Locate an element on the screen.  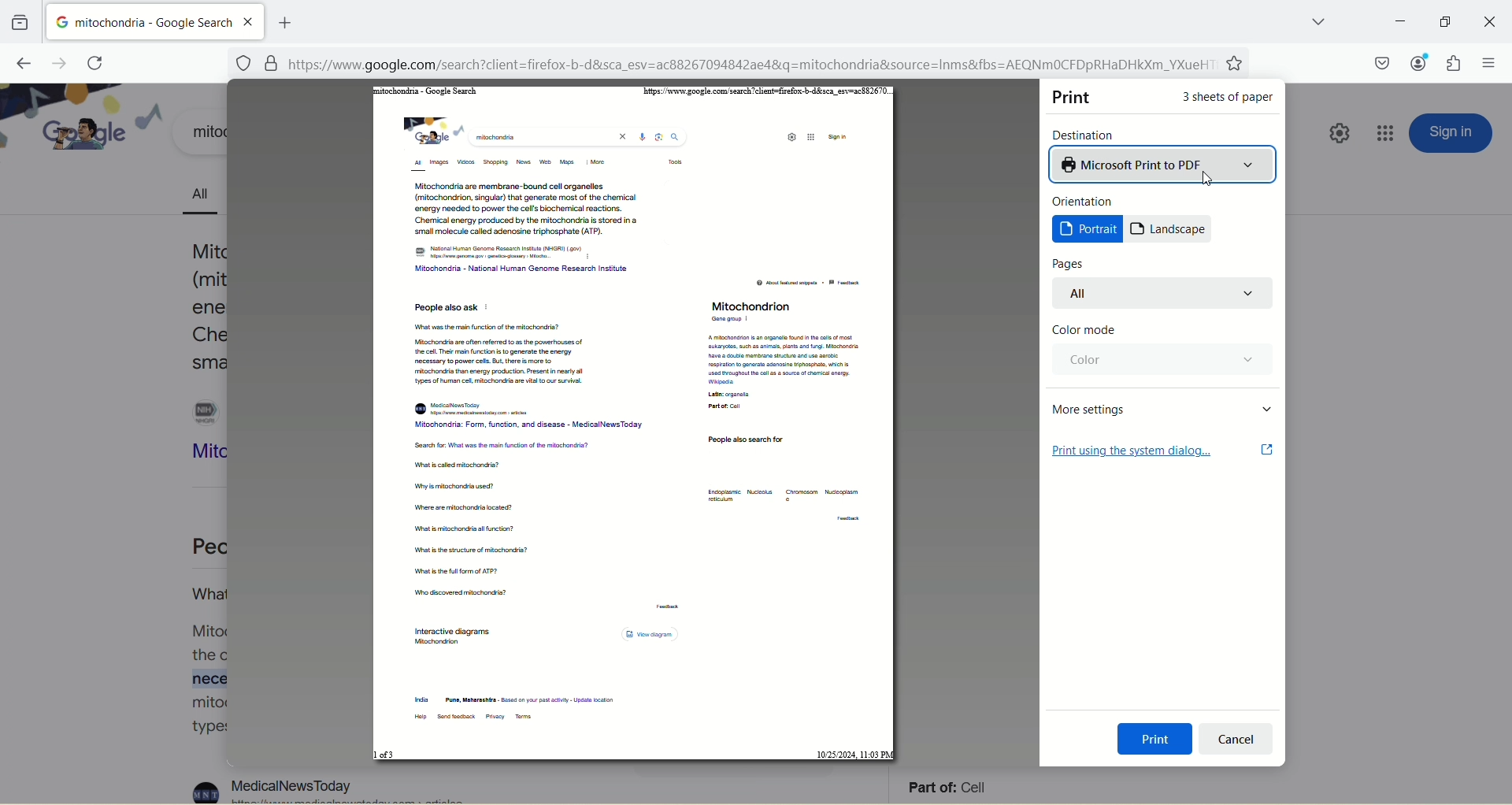
PDF page view is located at coordinates (634, 425).